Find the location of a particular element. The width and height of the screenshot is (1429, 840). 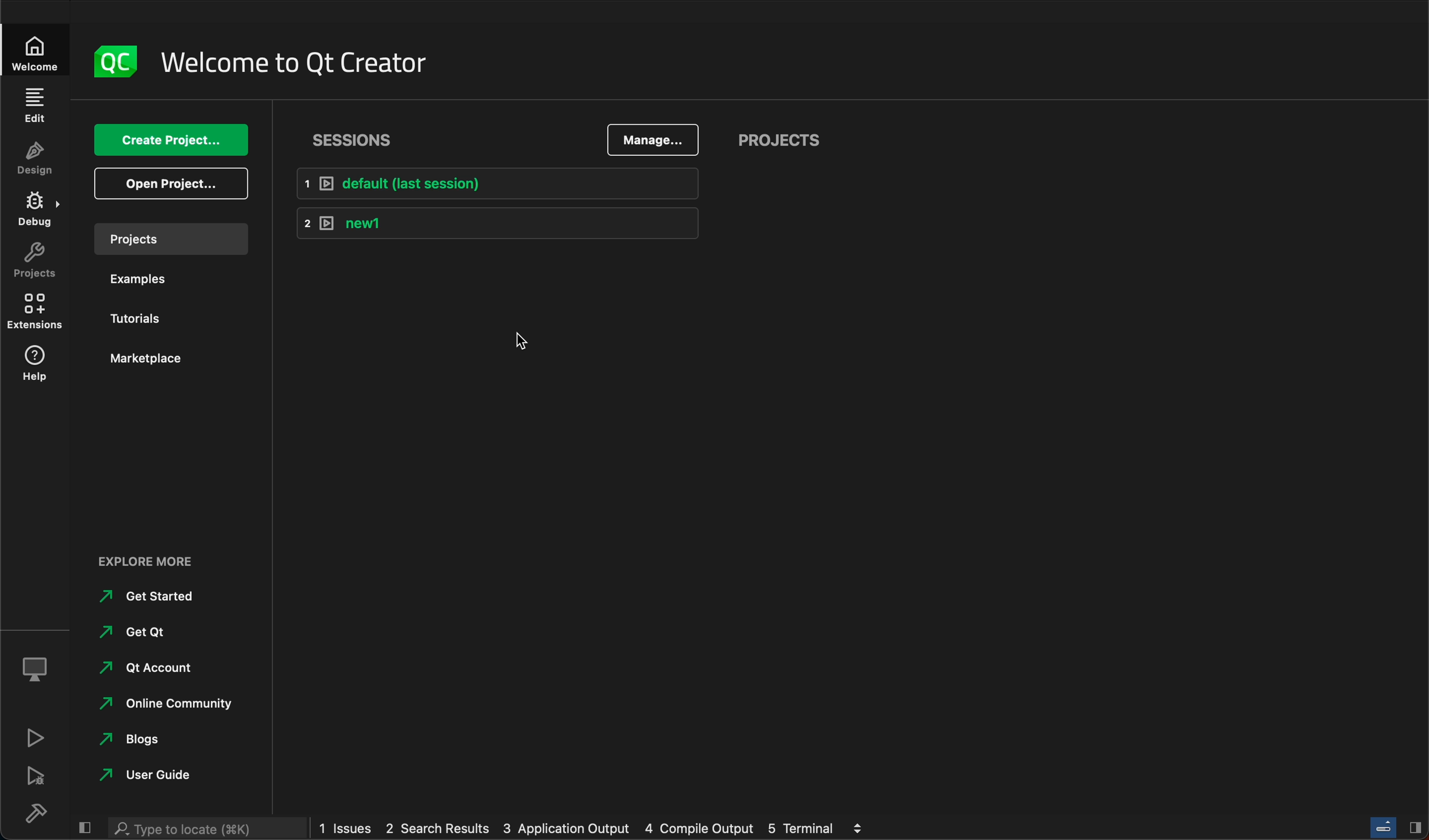

extensions is located at coordinates (38, 315).